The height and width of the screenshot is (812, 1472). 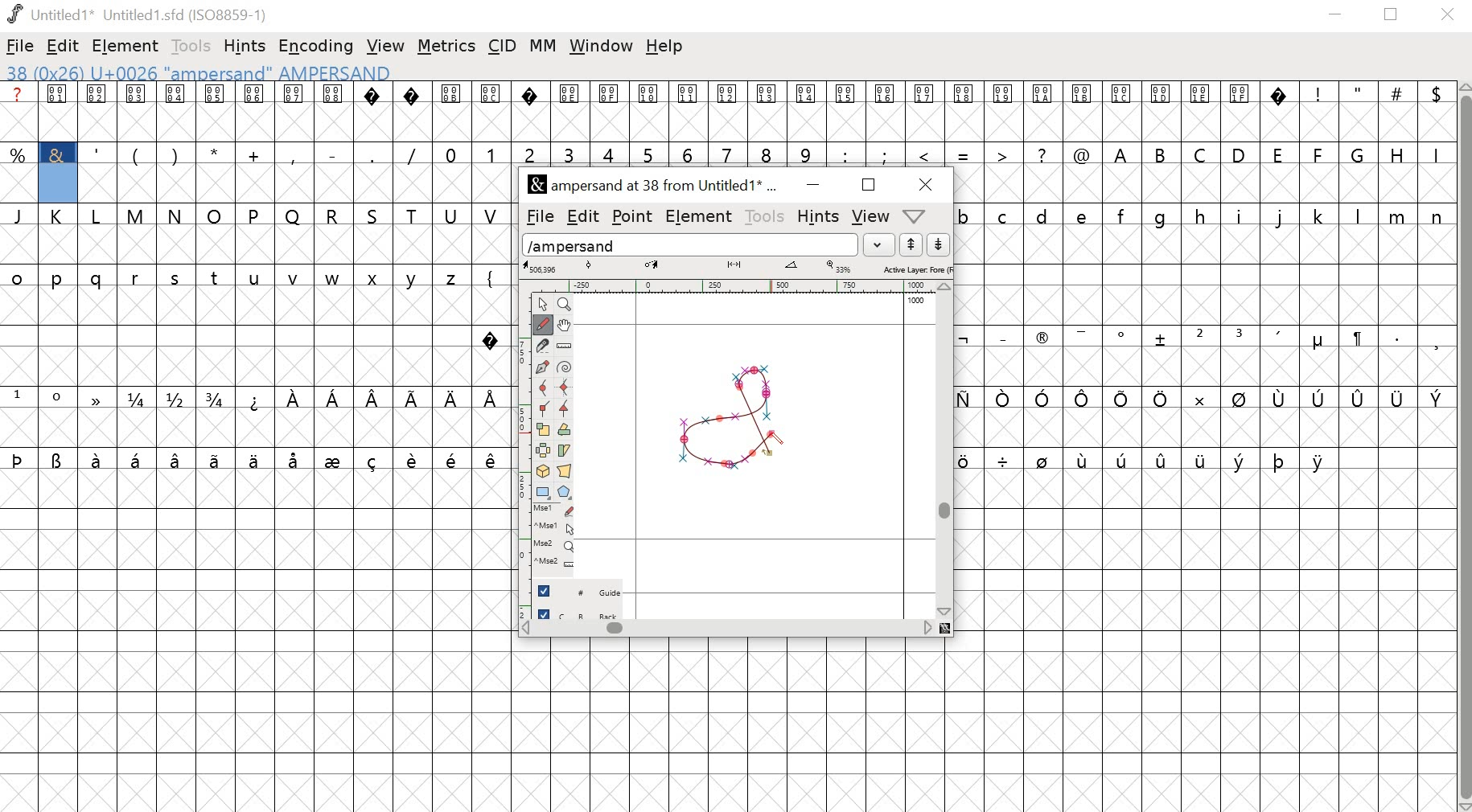 What do you see at coordinates (491, 110) in the screenshot?
I see `000C` at bounding box center [491, 110].